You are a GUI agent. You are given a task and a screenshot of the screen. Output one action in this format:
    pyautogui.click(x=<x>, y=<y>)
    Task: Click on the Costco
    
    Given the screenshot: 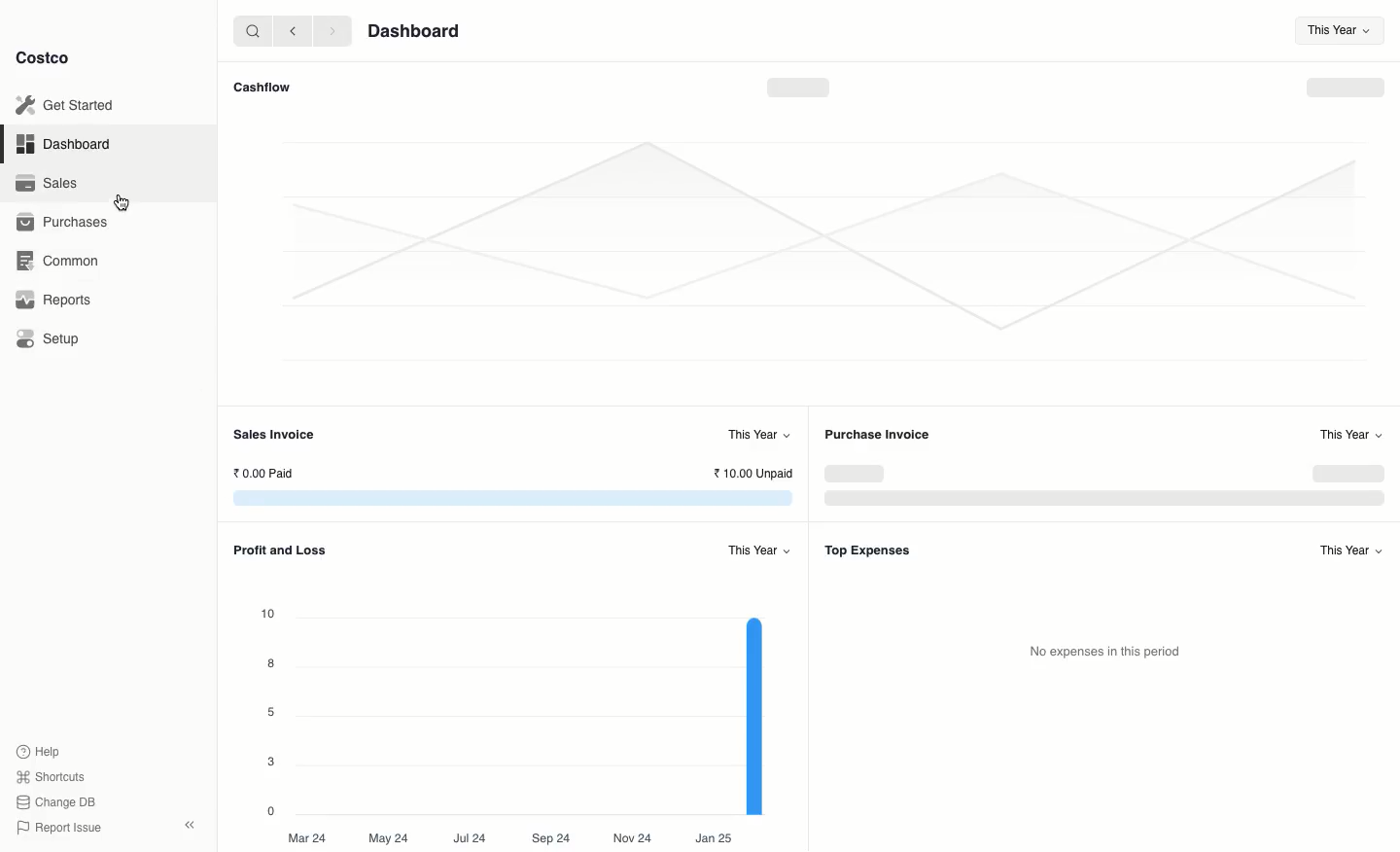 What is the action you would take?
    pyautogui.click(x=45, y=57)
    